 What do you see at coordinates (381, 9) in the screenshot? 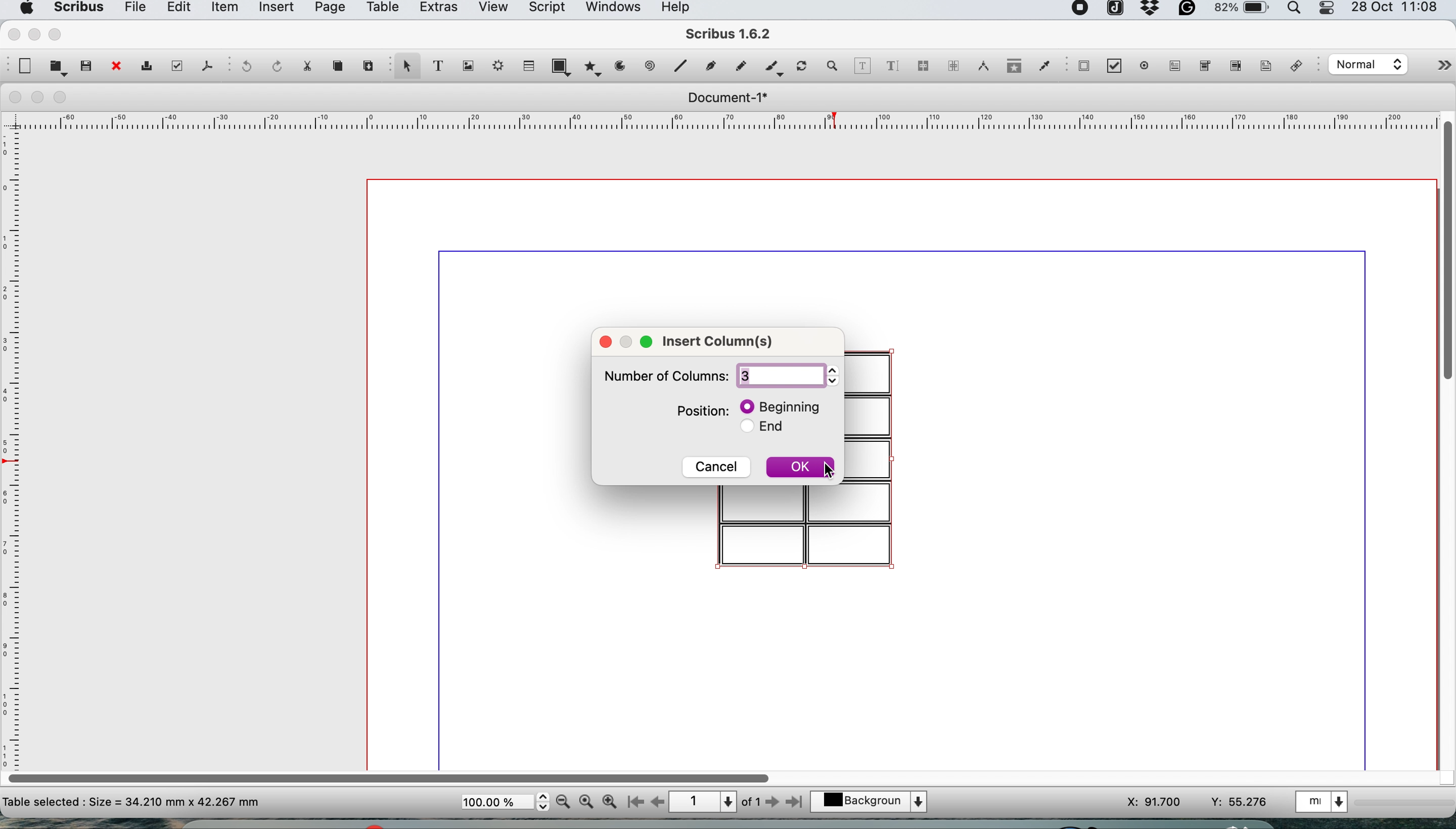
I see `table` at bounding box center [381, 9].